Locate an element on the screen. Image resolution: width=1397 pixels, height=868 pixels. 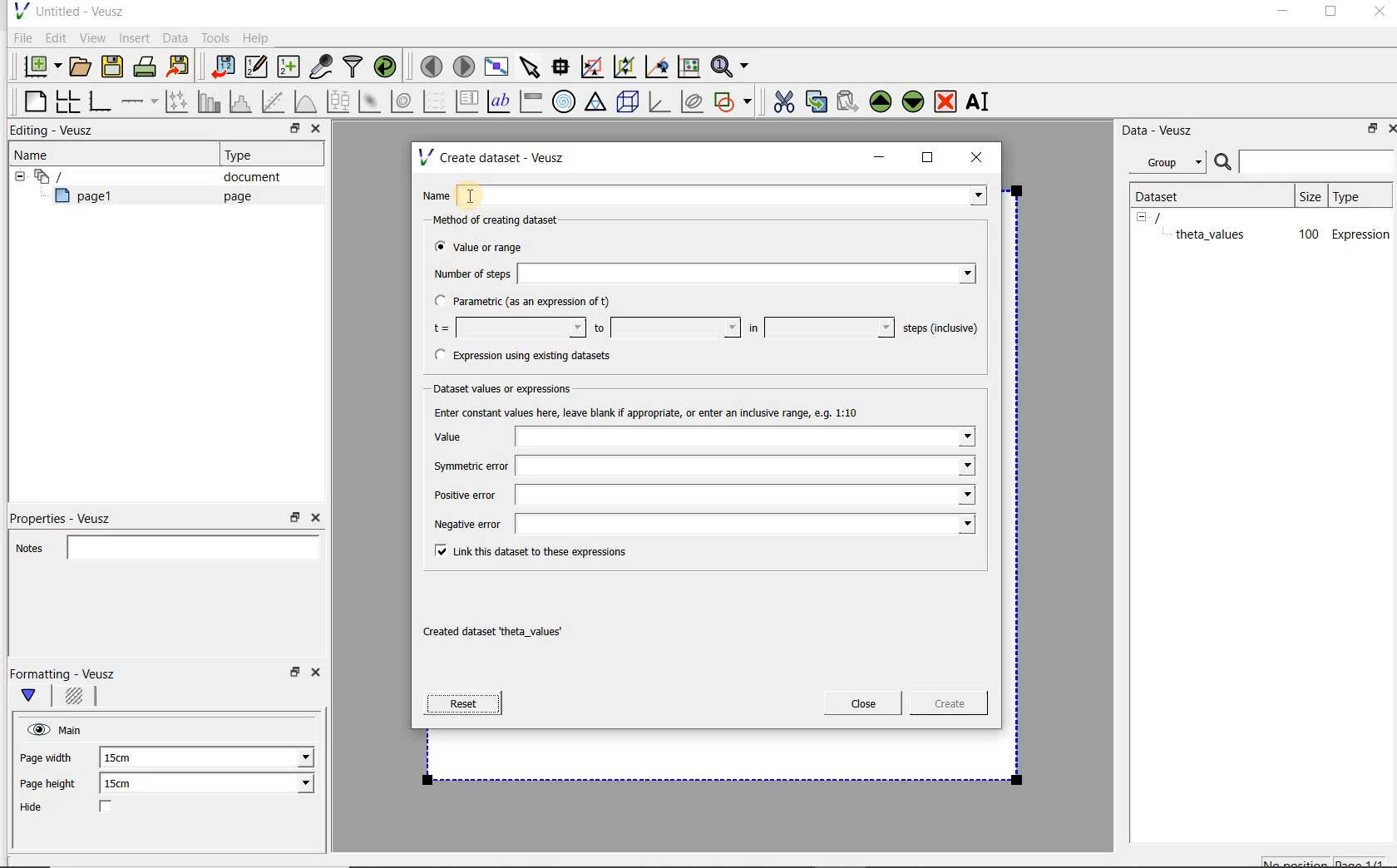
100 is located at coordinates (1307, 235).